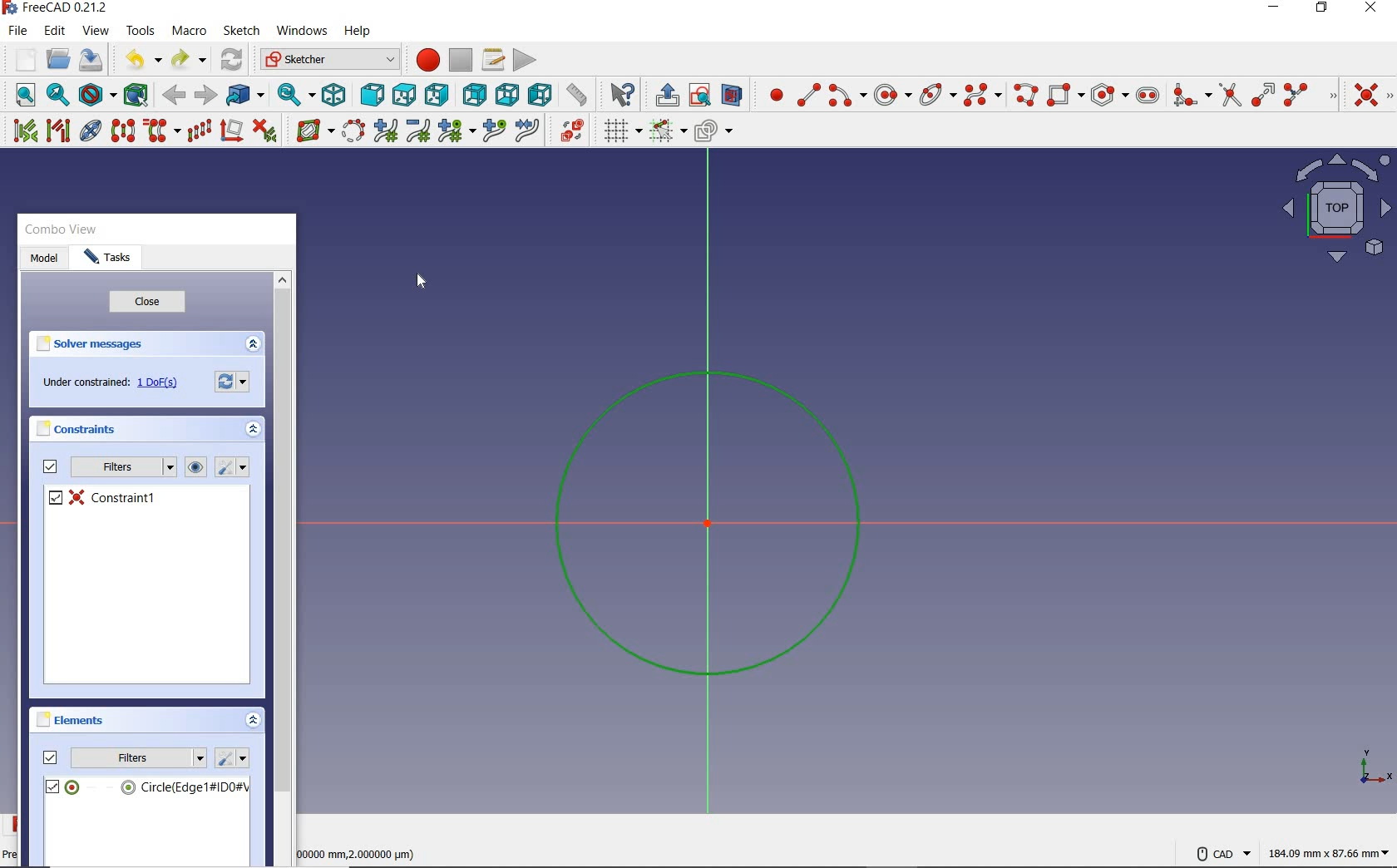  Describe the element at coordinates (20, 31) in the screenshot. I see `file` at that location.